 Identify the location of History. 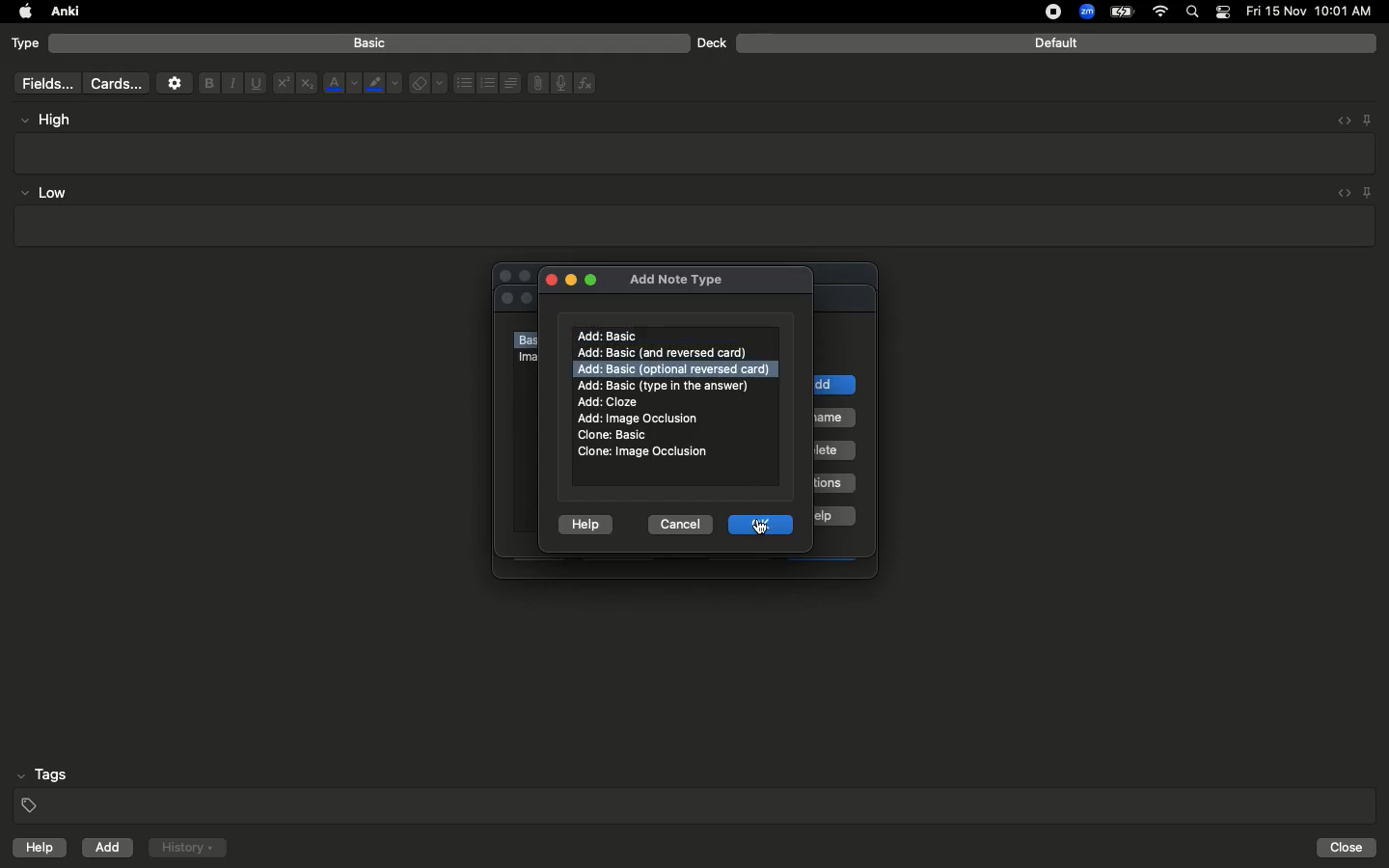
(187, 848).